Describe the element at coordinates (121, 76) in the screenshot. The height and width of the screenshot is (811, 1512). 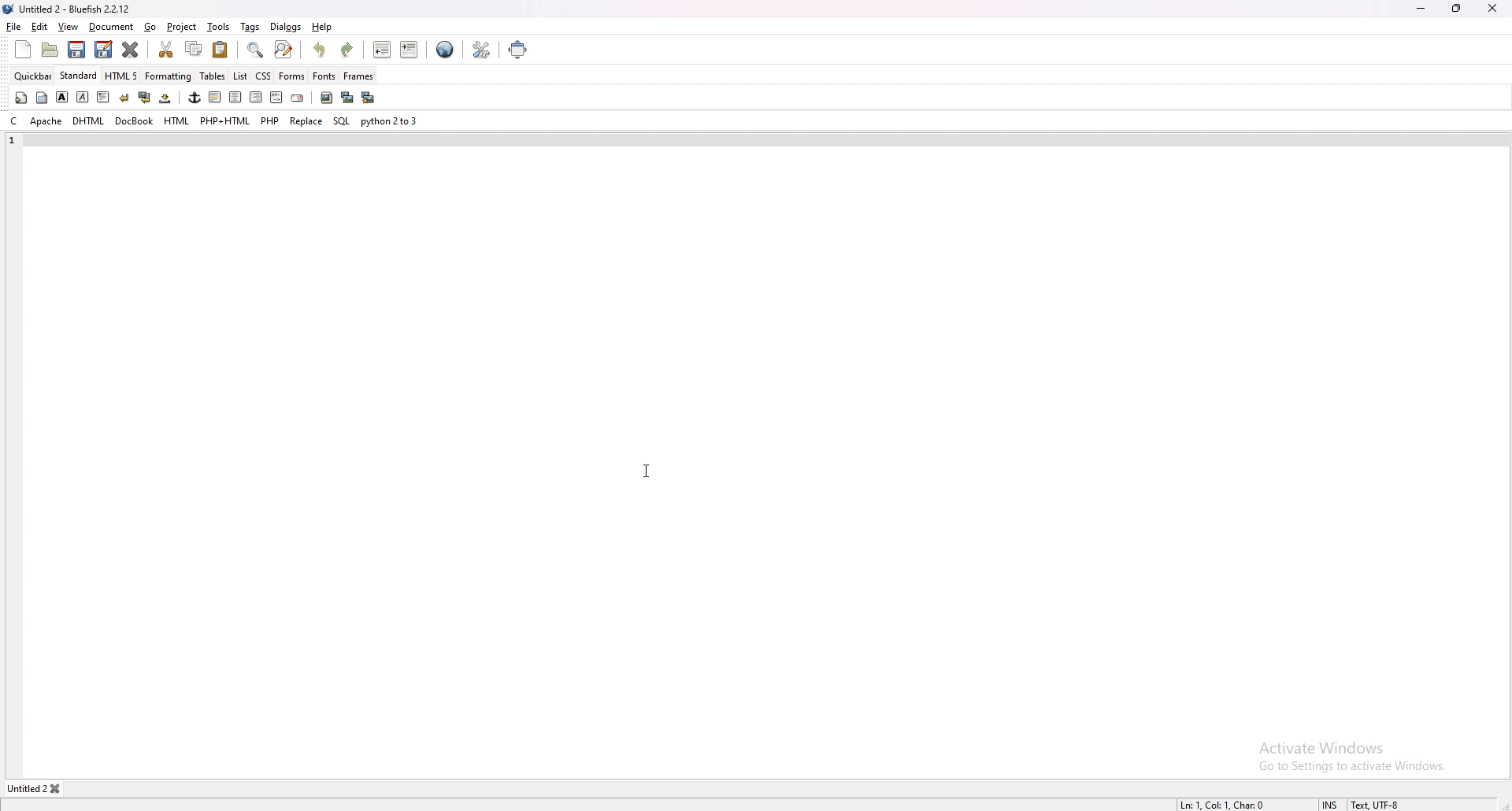
I see `html 5` at that location.